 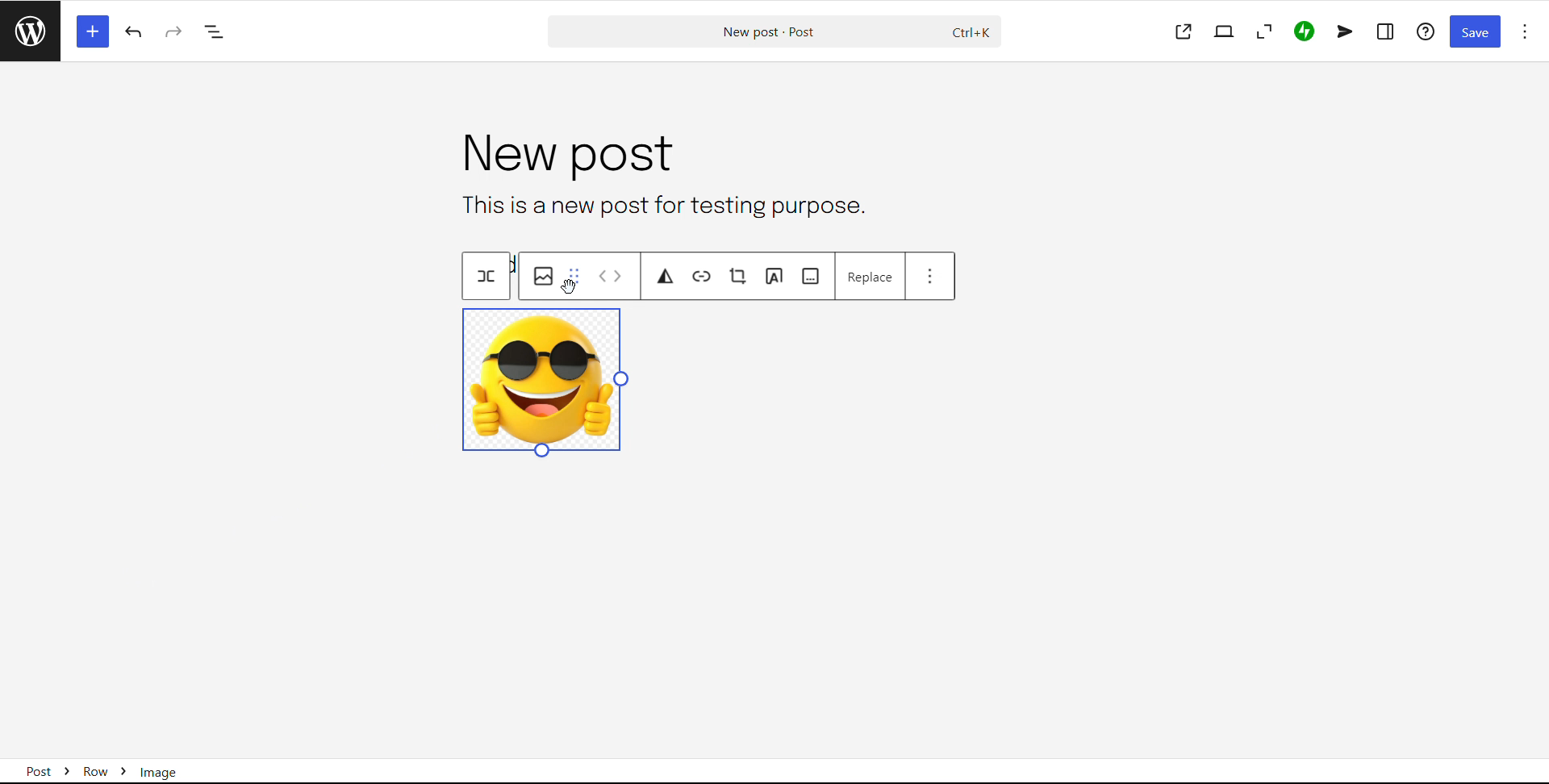 What do you see at coordinates (1475, 32) in the screenshot?
I see `save` at bounding box center [1475, 32].